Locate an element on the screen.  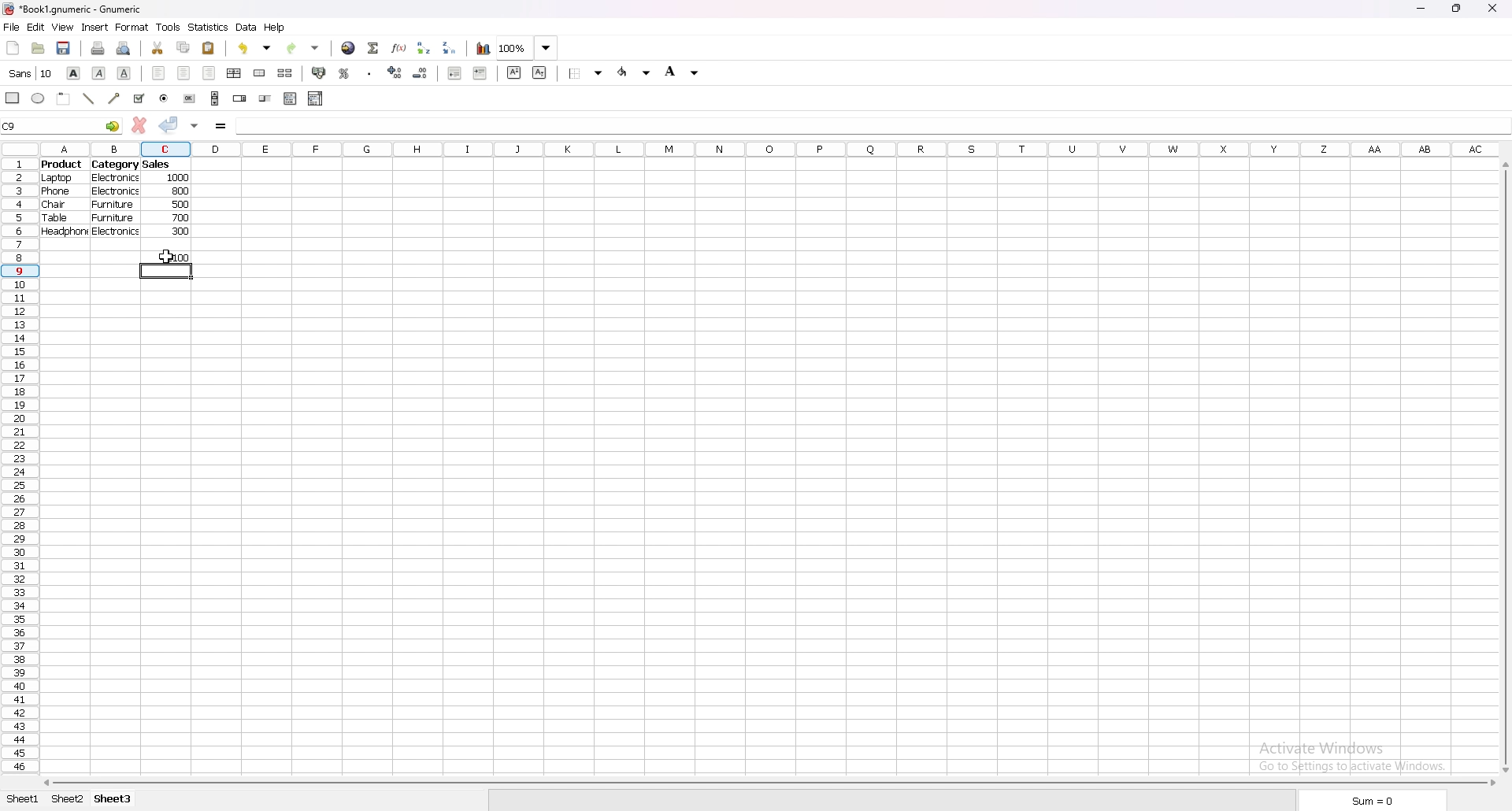
sheet 3 is located at coordinates (113, 800).